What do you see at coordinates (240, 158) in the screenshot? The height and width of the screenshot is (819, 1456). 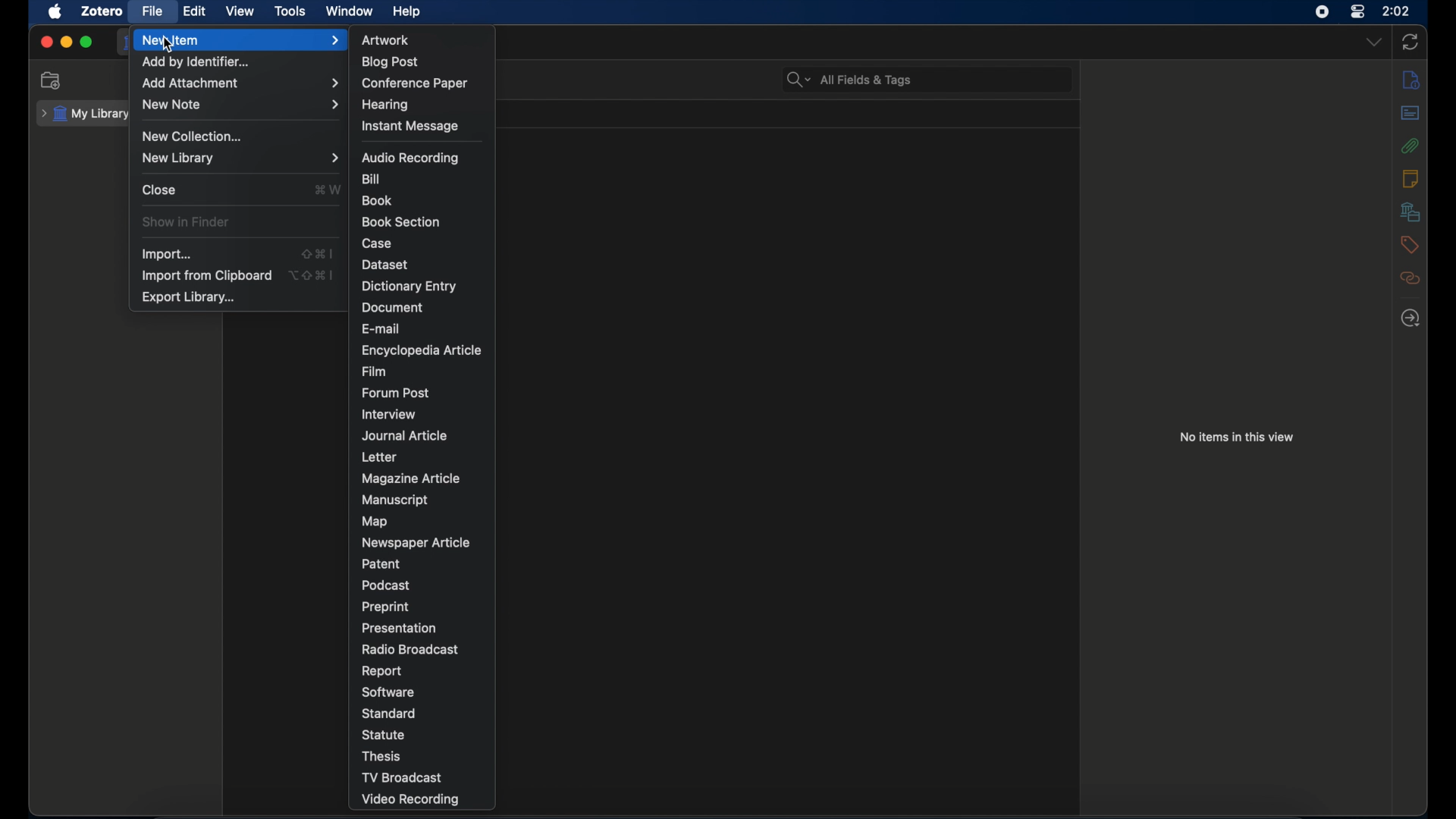 I see `new library` at bounding box center [240, 158].